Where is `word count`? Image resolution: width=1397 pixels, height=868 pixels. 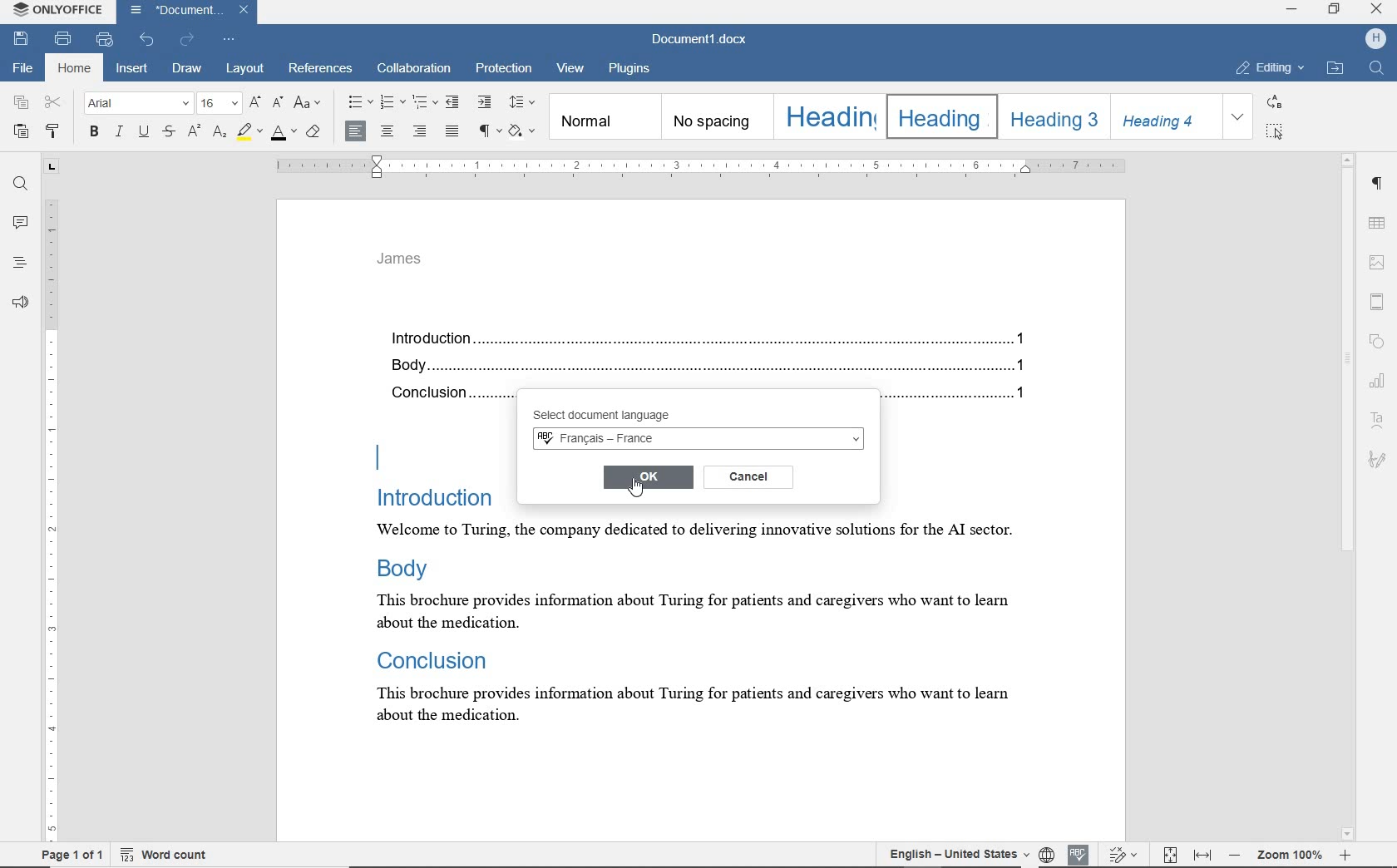
word count is located at coordinates (173, 854).